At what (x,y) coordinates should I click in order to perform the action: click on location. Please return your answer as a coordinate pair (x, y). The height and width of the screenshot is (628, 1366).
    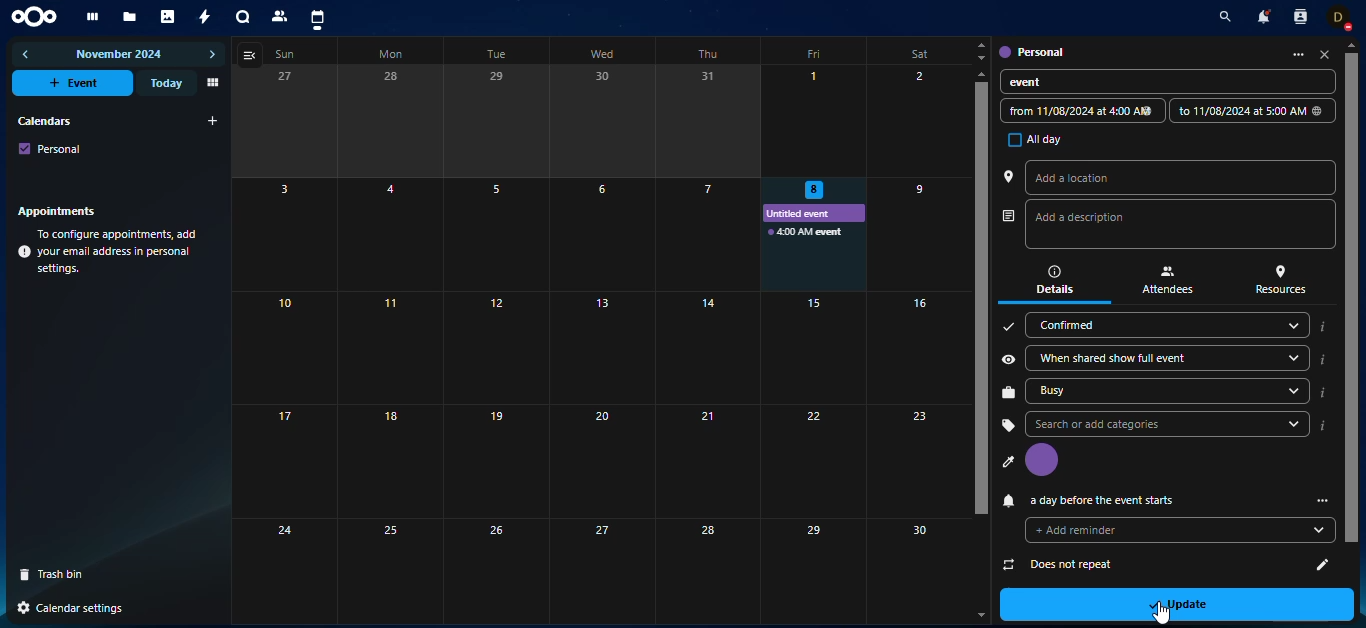
    Looking at the image, I should click on (1008, 176).